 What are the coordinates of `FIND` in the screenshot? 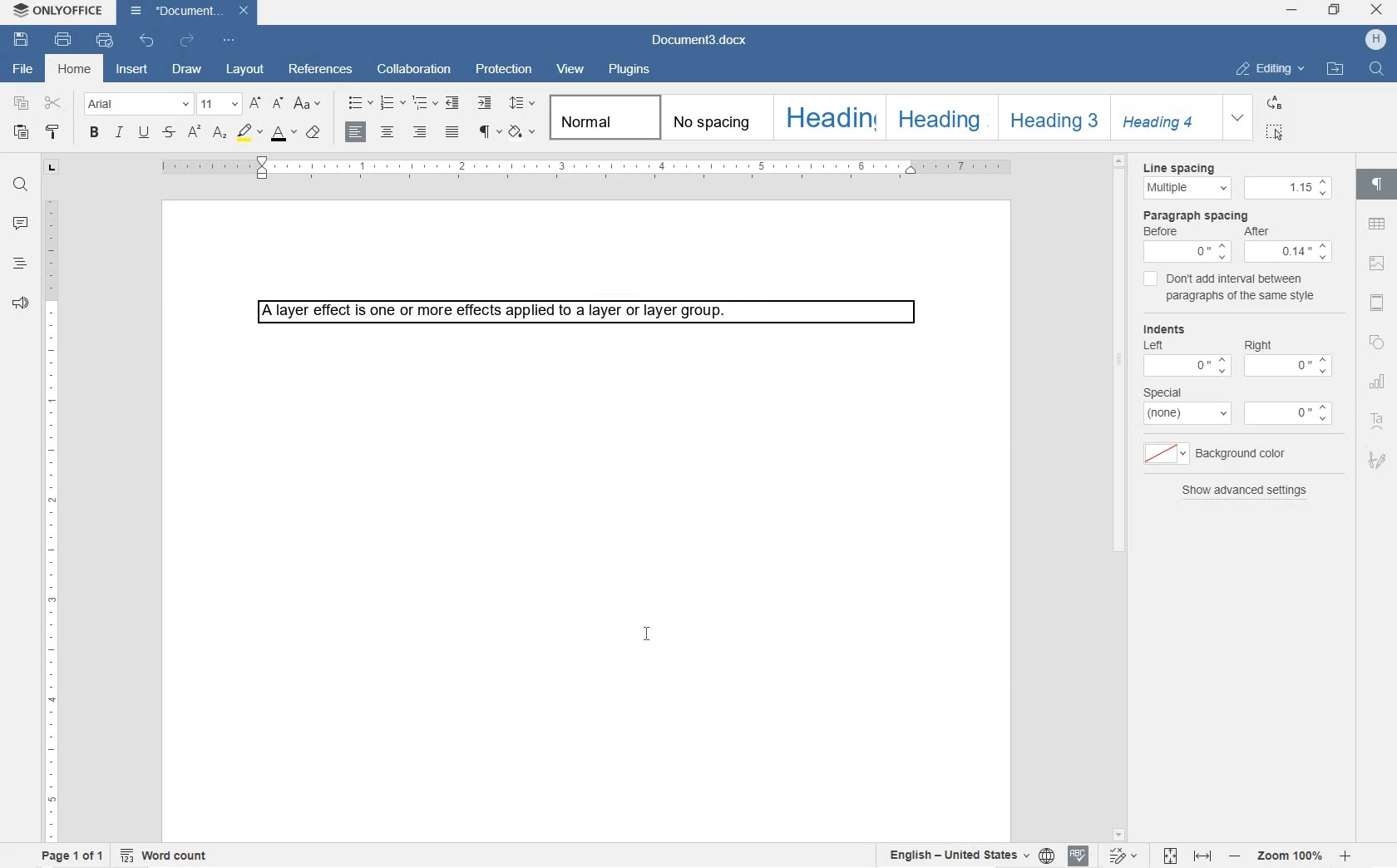 It's located at (1376, 69).